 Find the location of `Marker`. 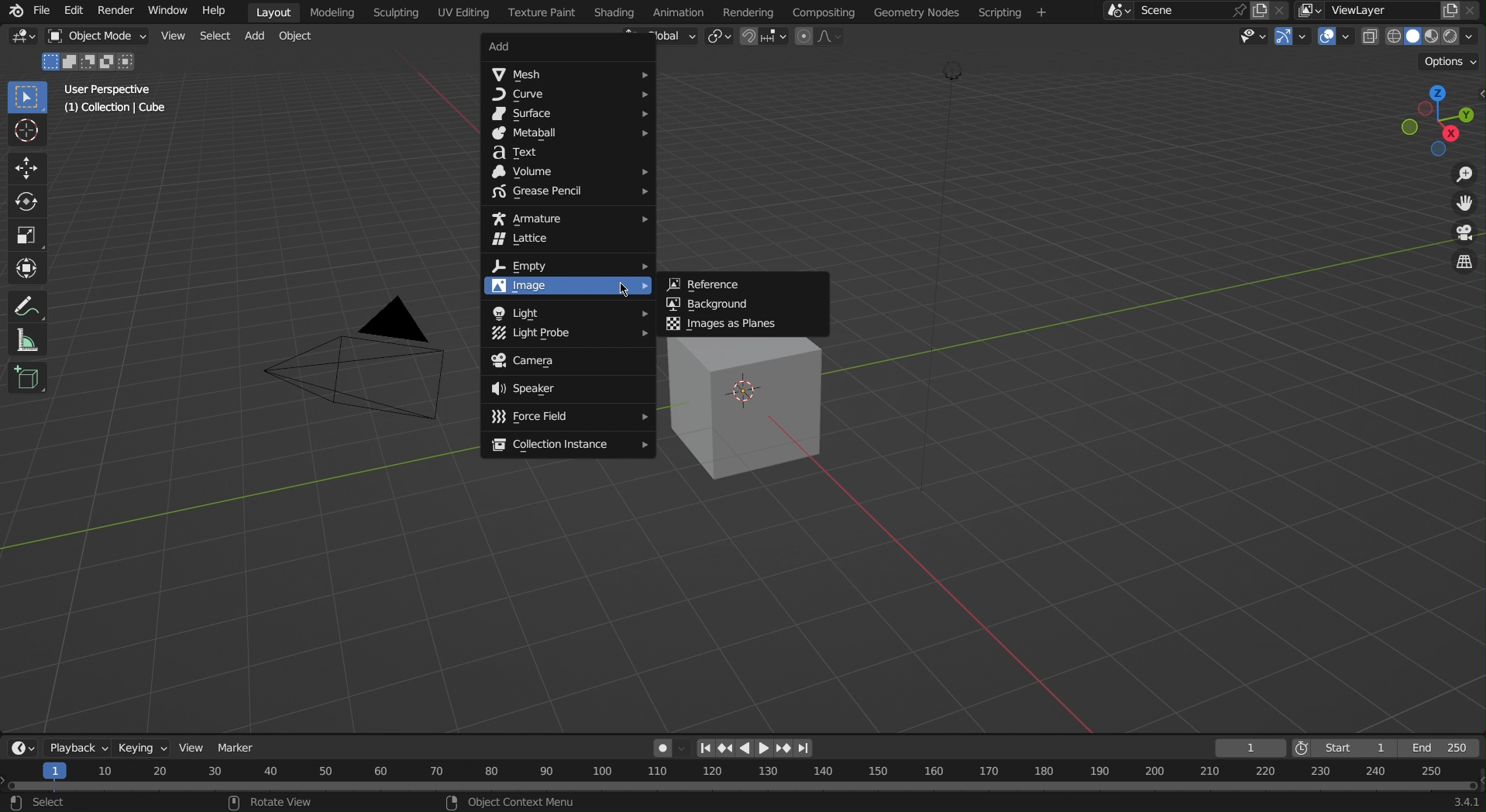

Marker is located at coordinates (242, 746).